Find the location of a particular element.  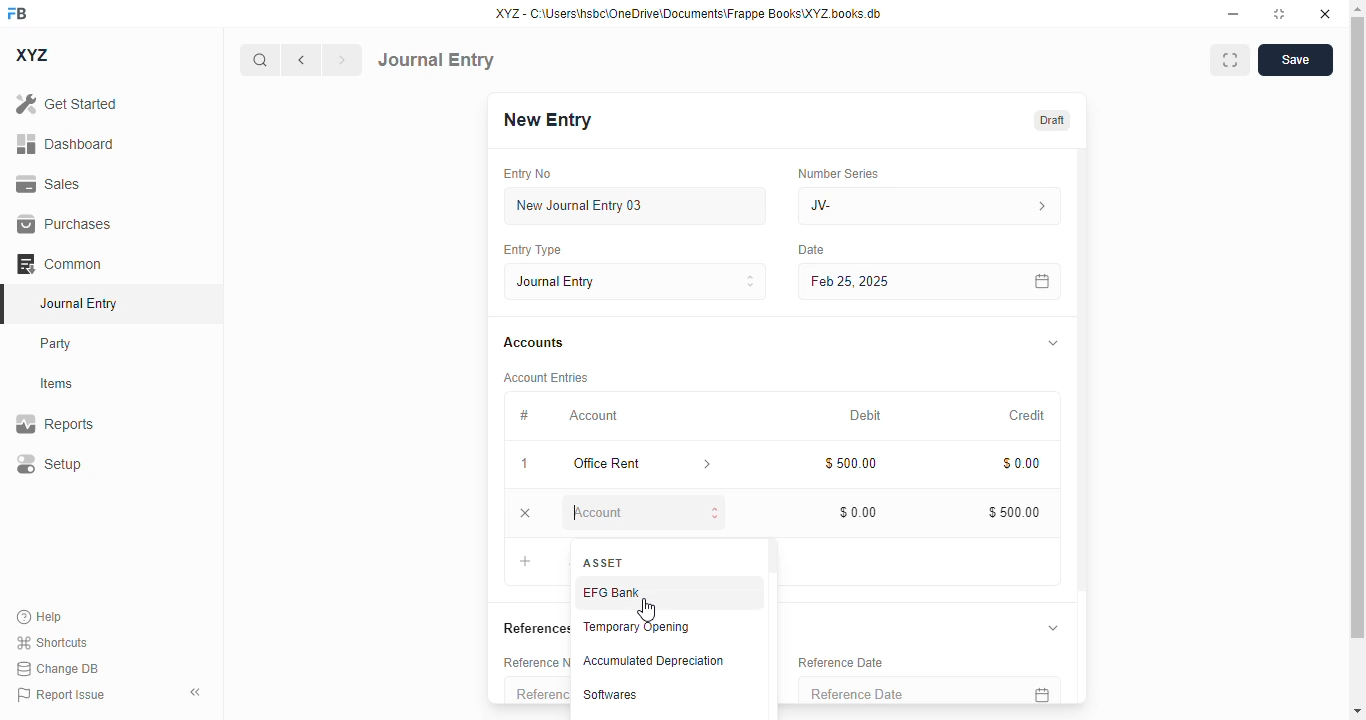

office rent is located at coordinates (614, 464).